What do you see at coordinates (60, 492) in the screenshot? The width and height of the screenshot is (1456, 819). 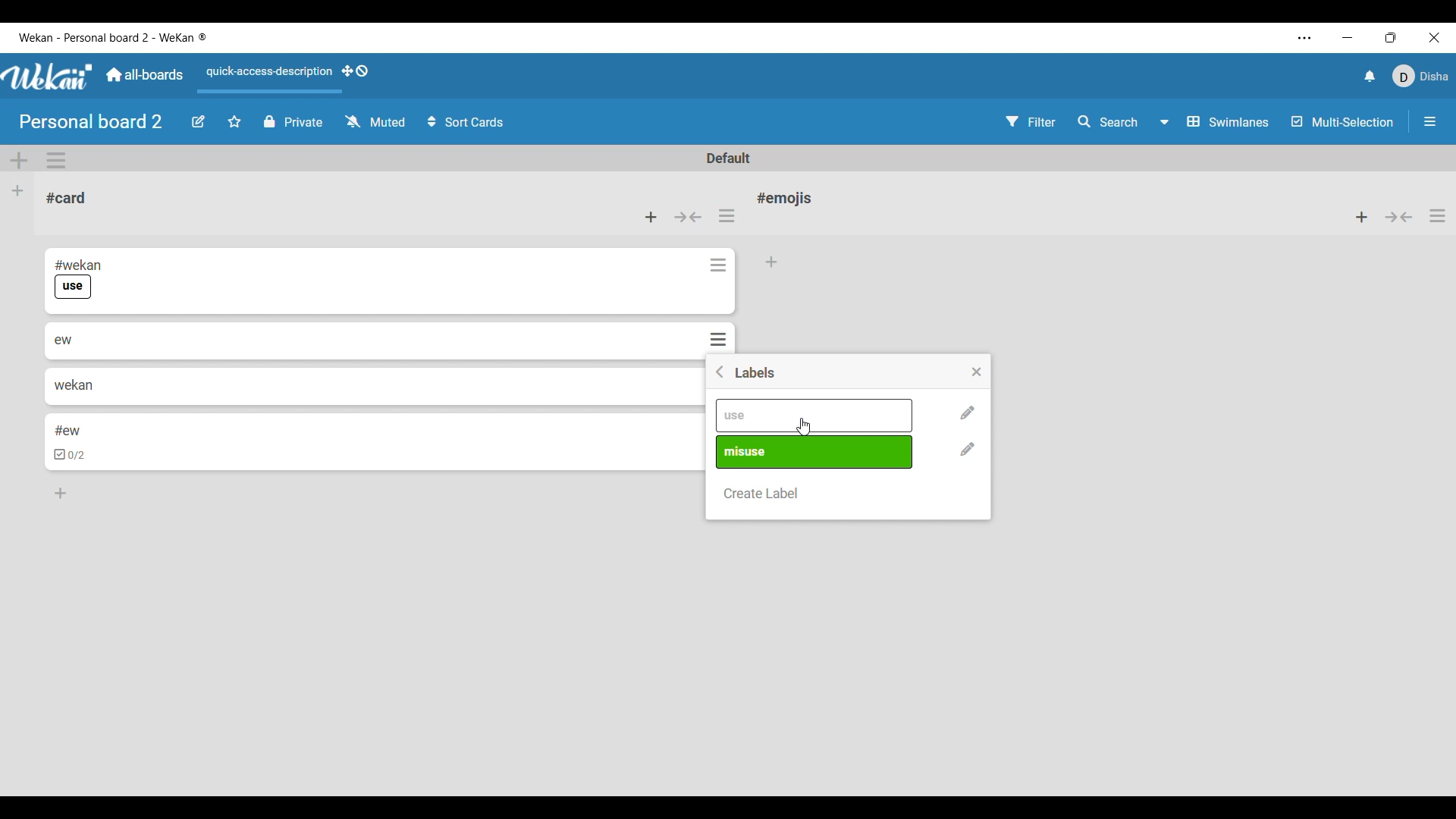 I see `Add card to bottom of list` at bounding box center [60, 492].